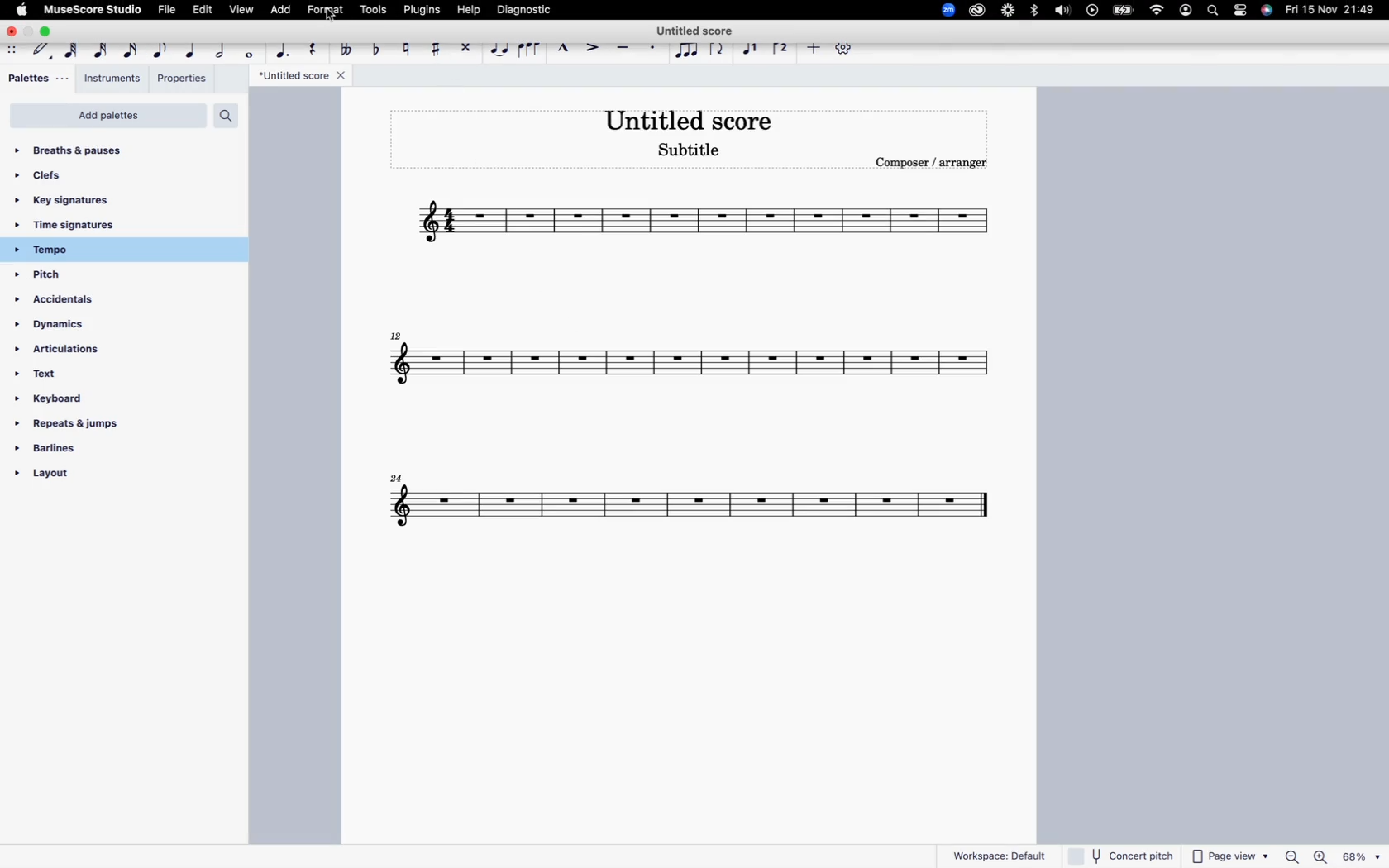 The image size is (1389, 868). What do you see at coordinates (530, 48) in the screenshot?
I see `slur` at bounding box center [530, 48].